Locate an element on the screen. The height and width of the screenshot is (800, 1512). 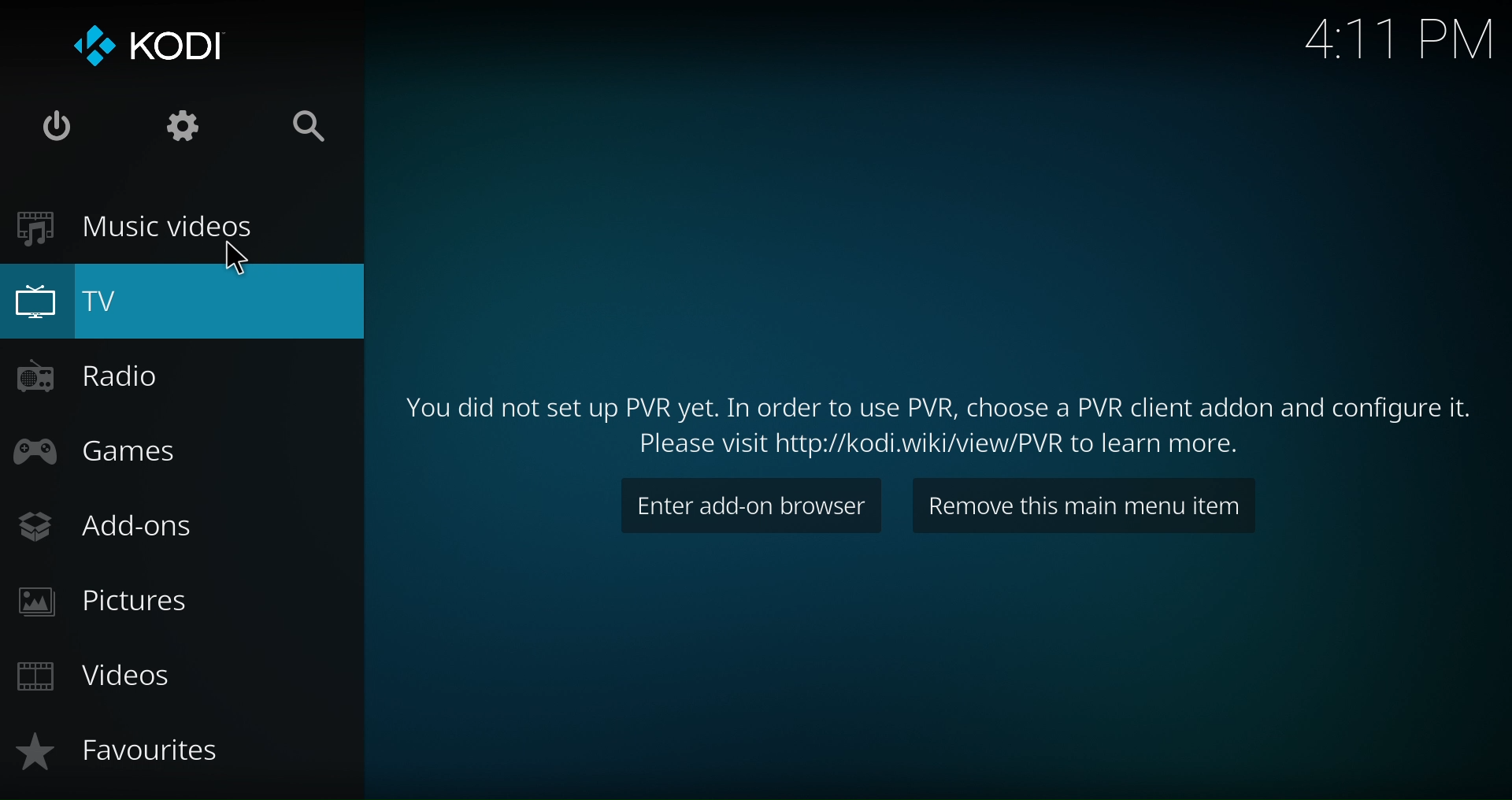
Search Option is located at coordinates (311, 125).